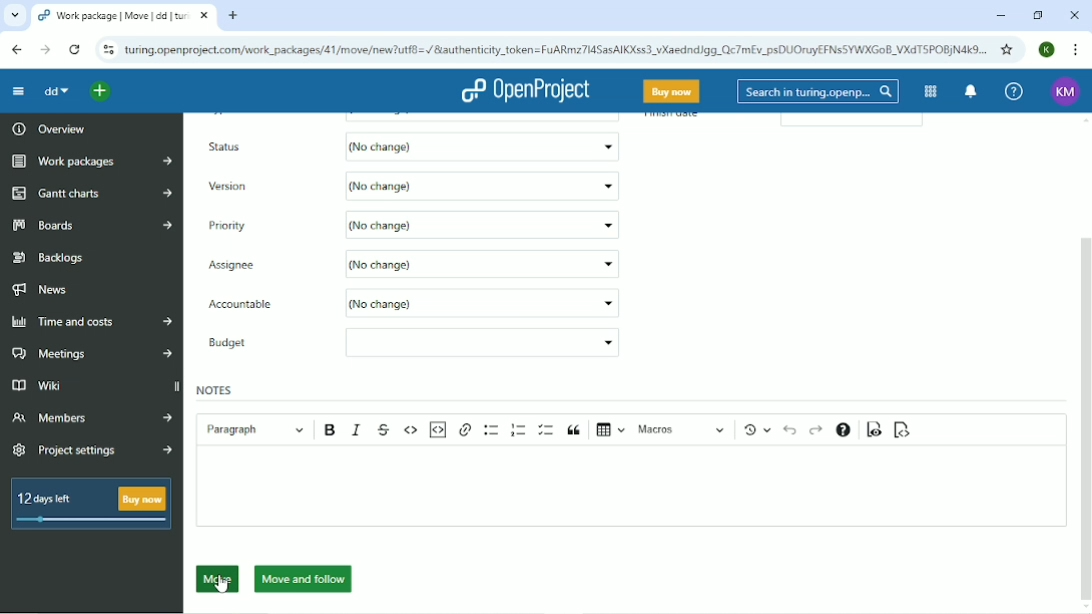  Describe the element at coordinates (122, 16) in the screenshot. I see `Current tab` at that location.